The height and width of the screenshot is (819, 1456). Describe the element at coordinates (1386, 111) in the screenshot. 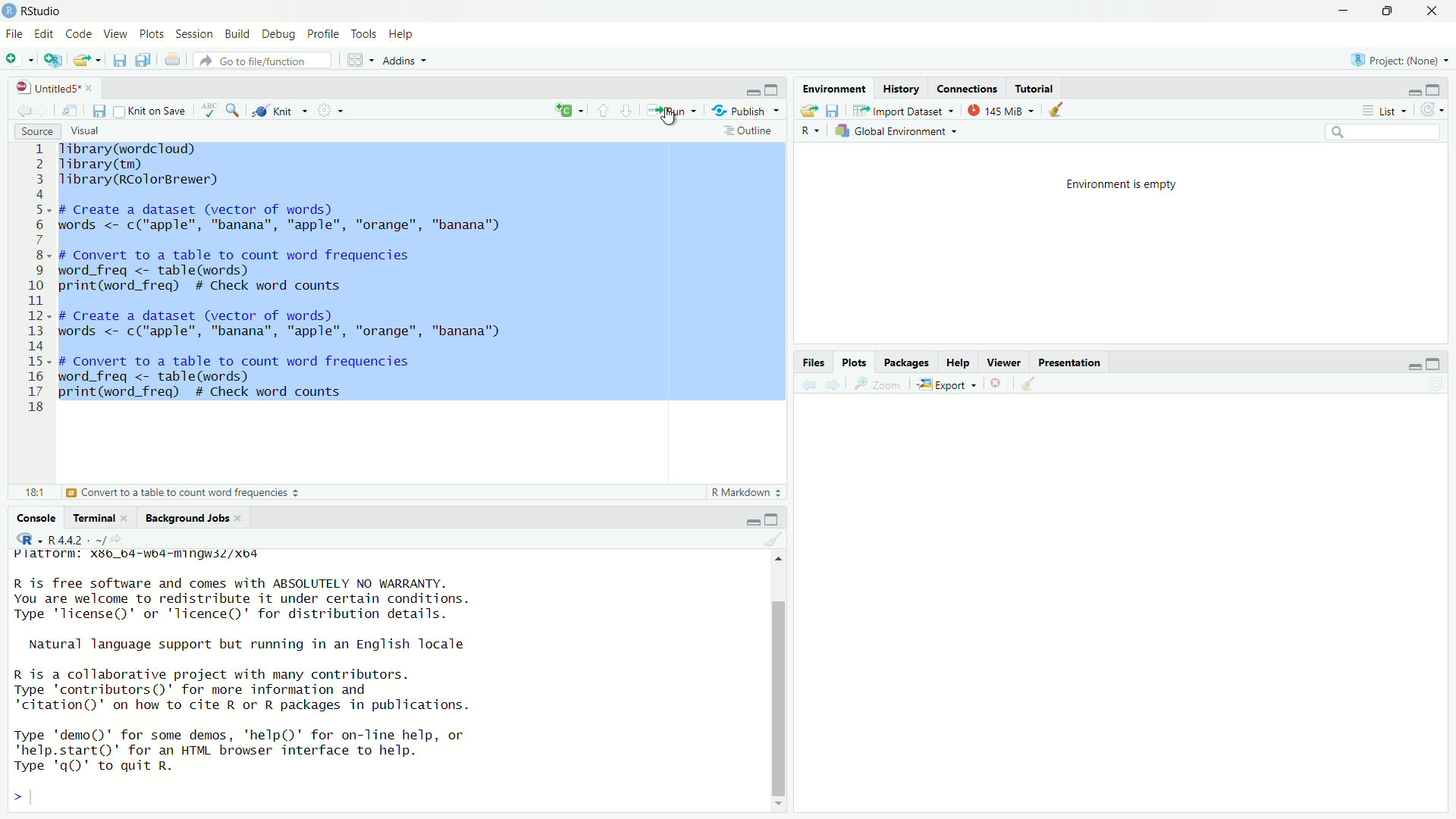

I see `List` at that location.